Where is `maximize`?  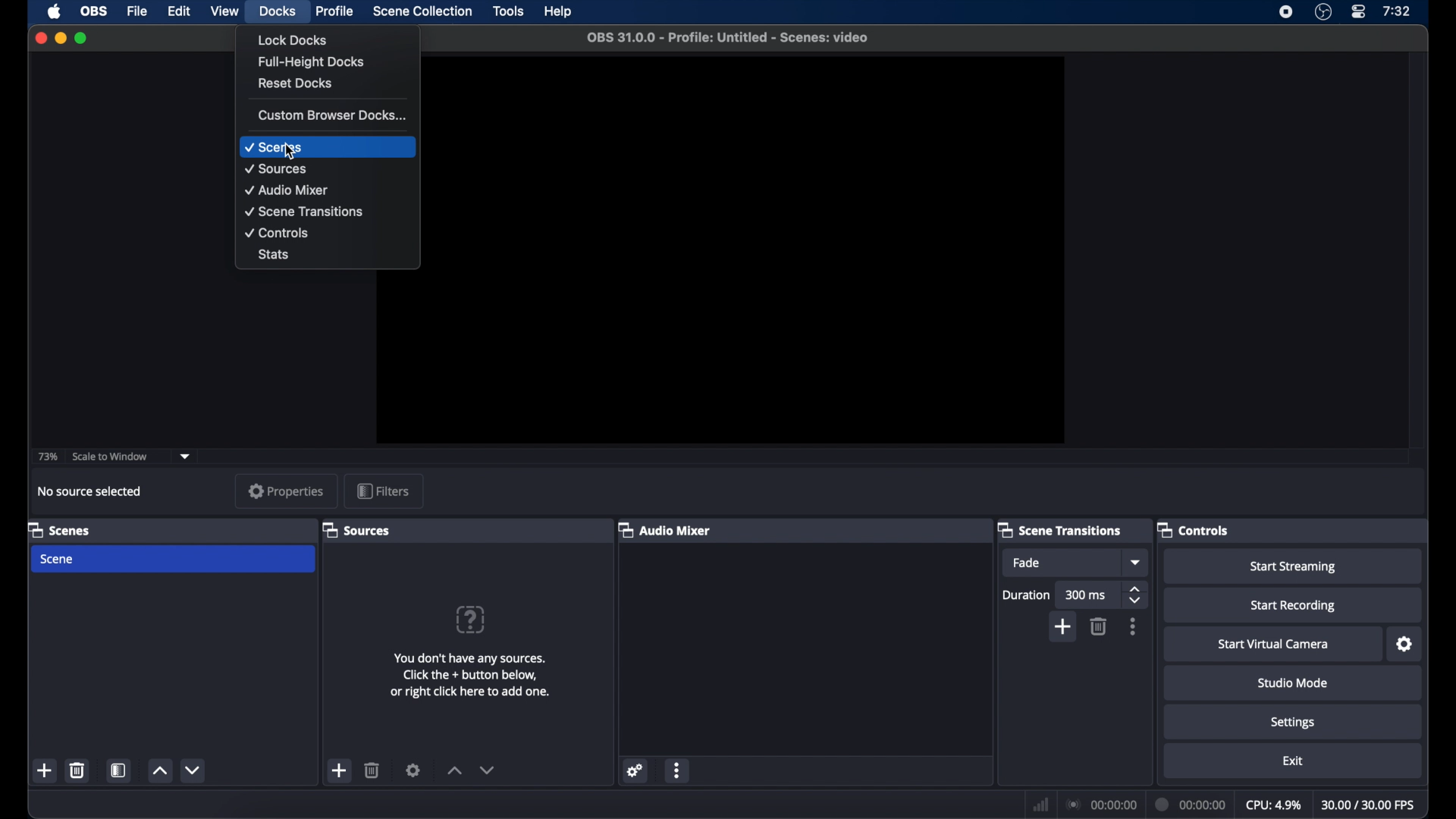
maximize is located at coordinates (82, 38).